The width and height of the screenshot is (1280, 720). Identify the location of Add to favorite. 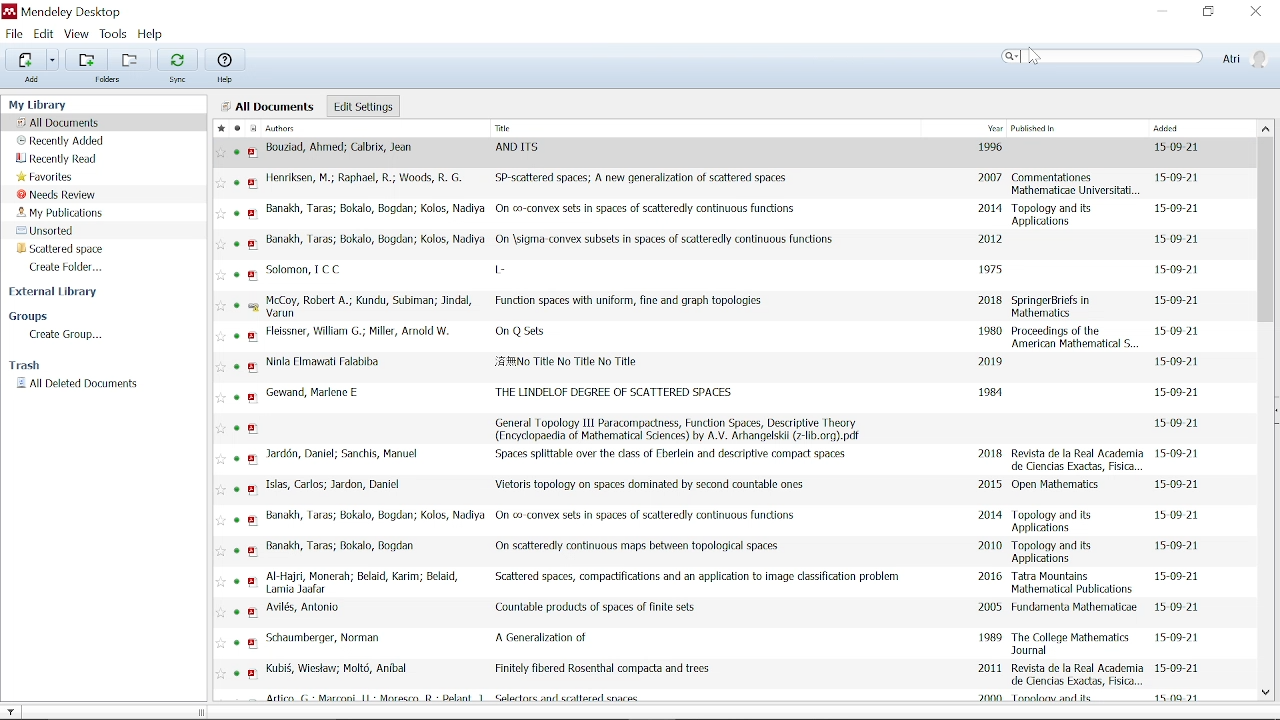
(221, 244).